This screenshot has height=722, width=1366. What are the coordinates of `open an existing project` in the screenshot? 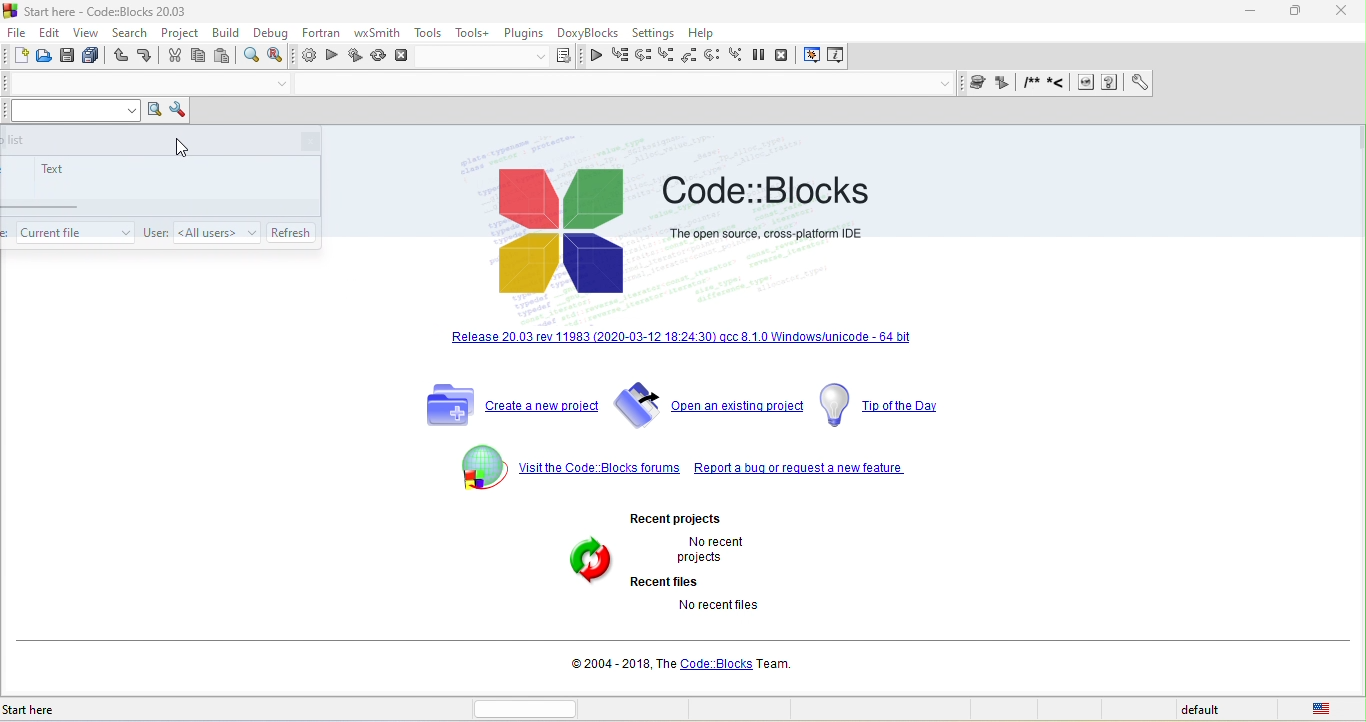 It's located at (709, 408).